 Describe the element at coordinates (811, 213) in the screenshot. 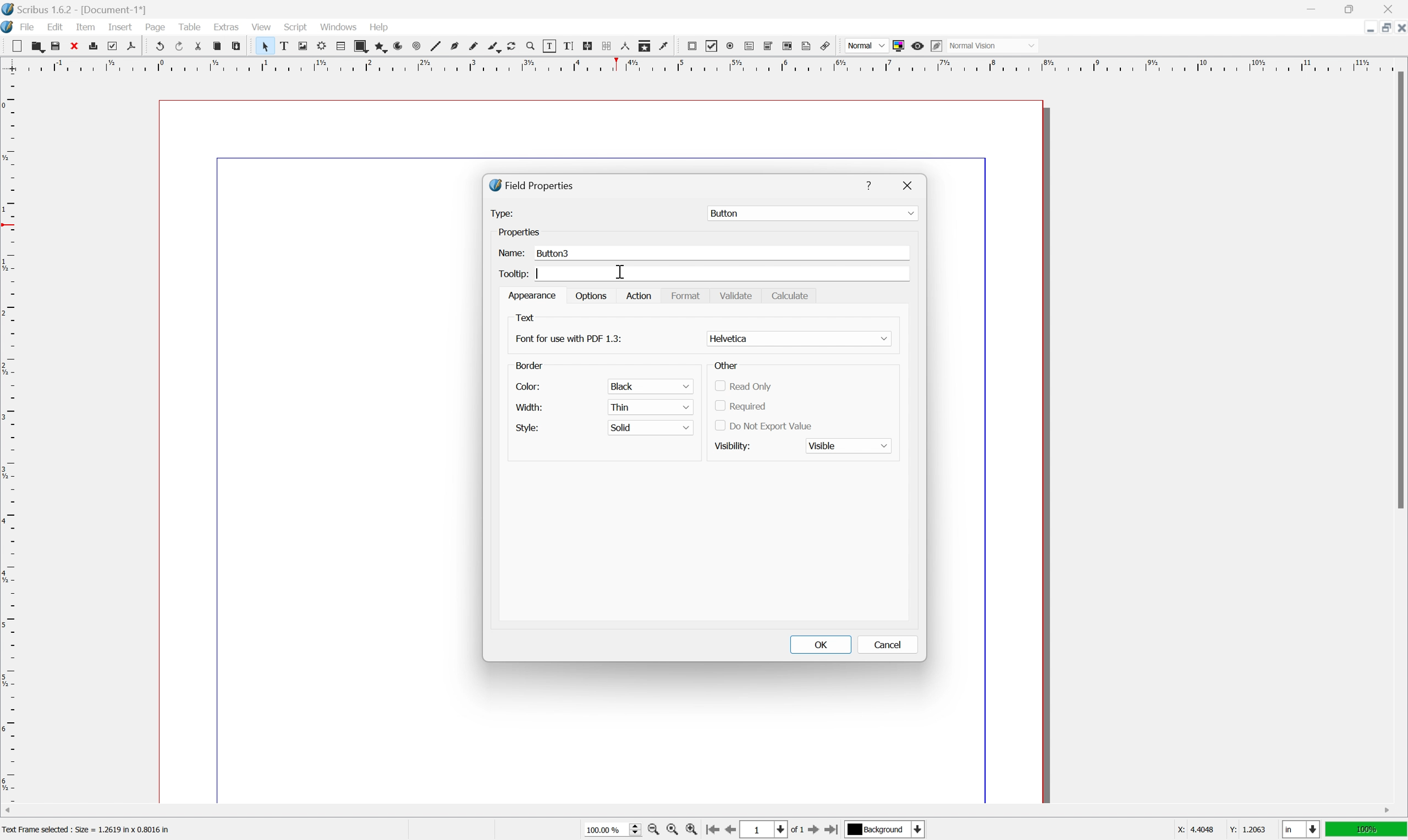

I see `Button` at that location.